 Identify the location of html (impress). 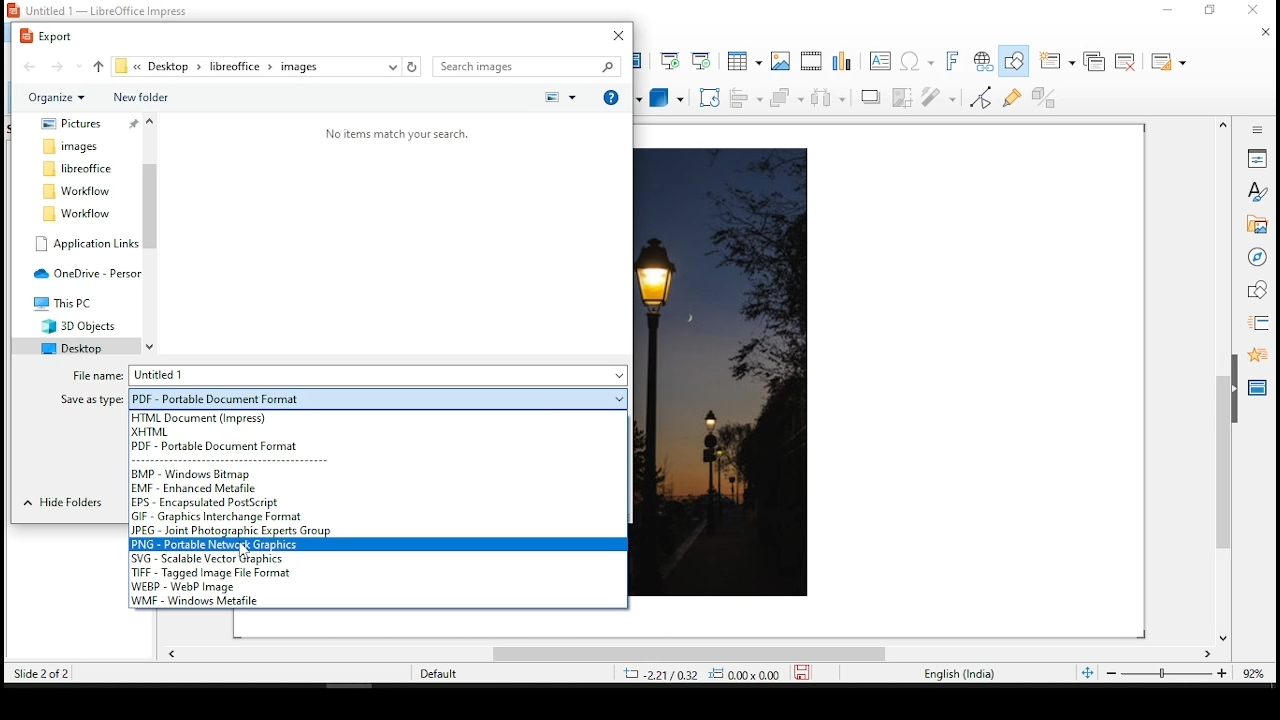
(201, 417).